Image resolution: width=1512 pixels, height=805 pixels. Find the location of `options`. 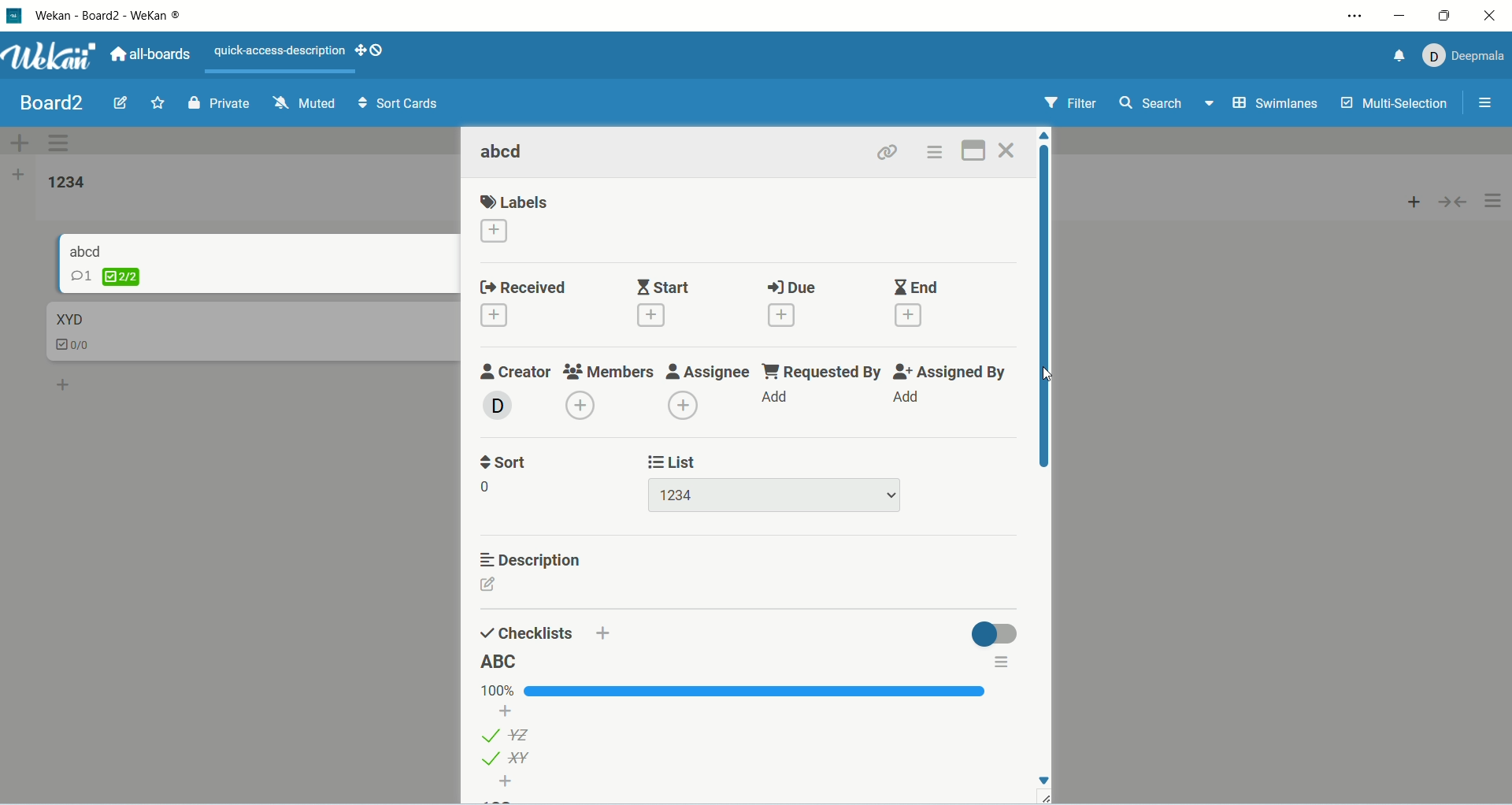

options is located at coordinates (938, 153).